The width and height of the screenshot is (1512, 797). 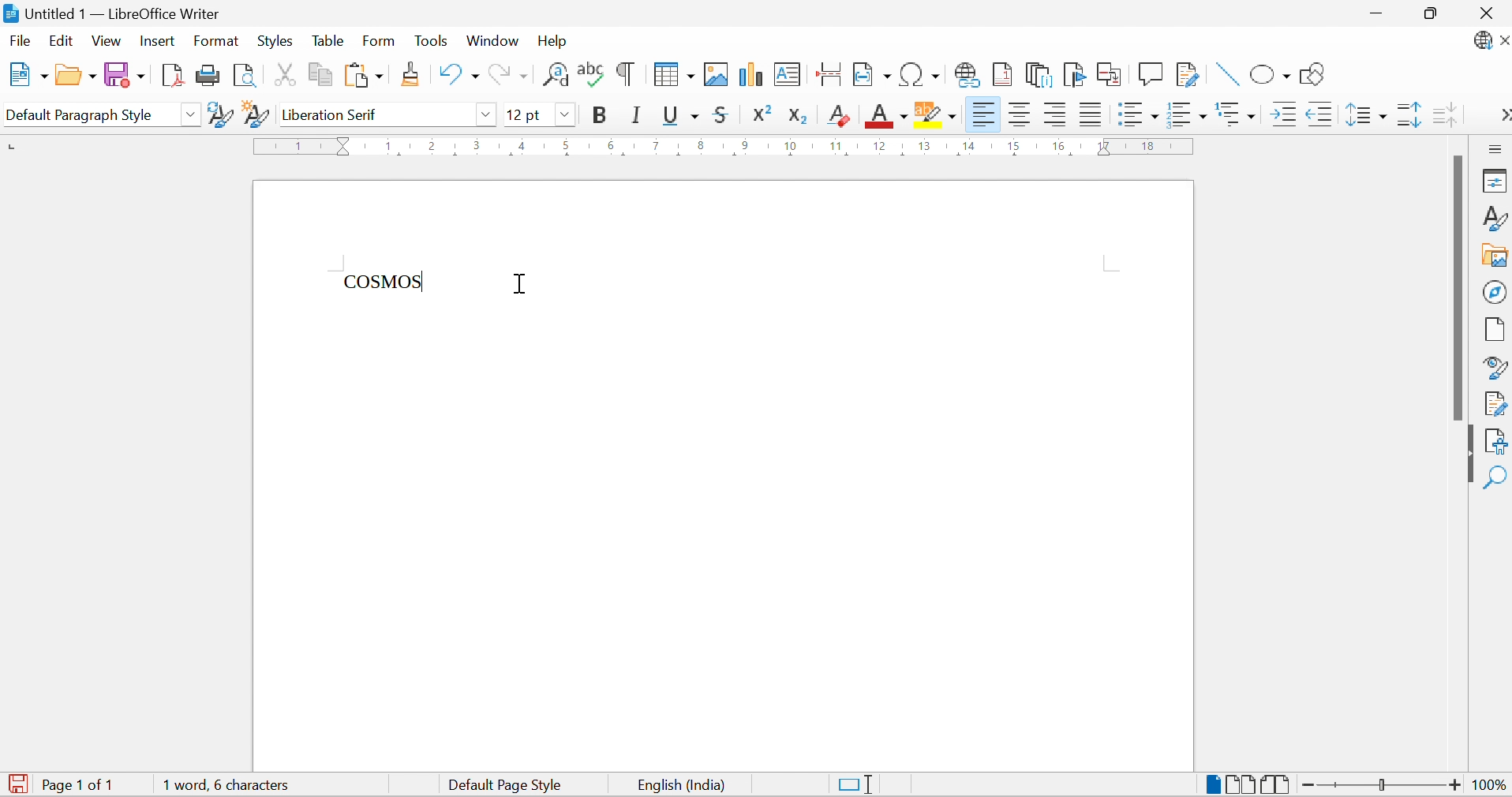 I want to click on Insert Page Break, so click(x=827, y=73).